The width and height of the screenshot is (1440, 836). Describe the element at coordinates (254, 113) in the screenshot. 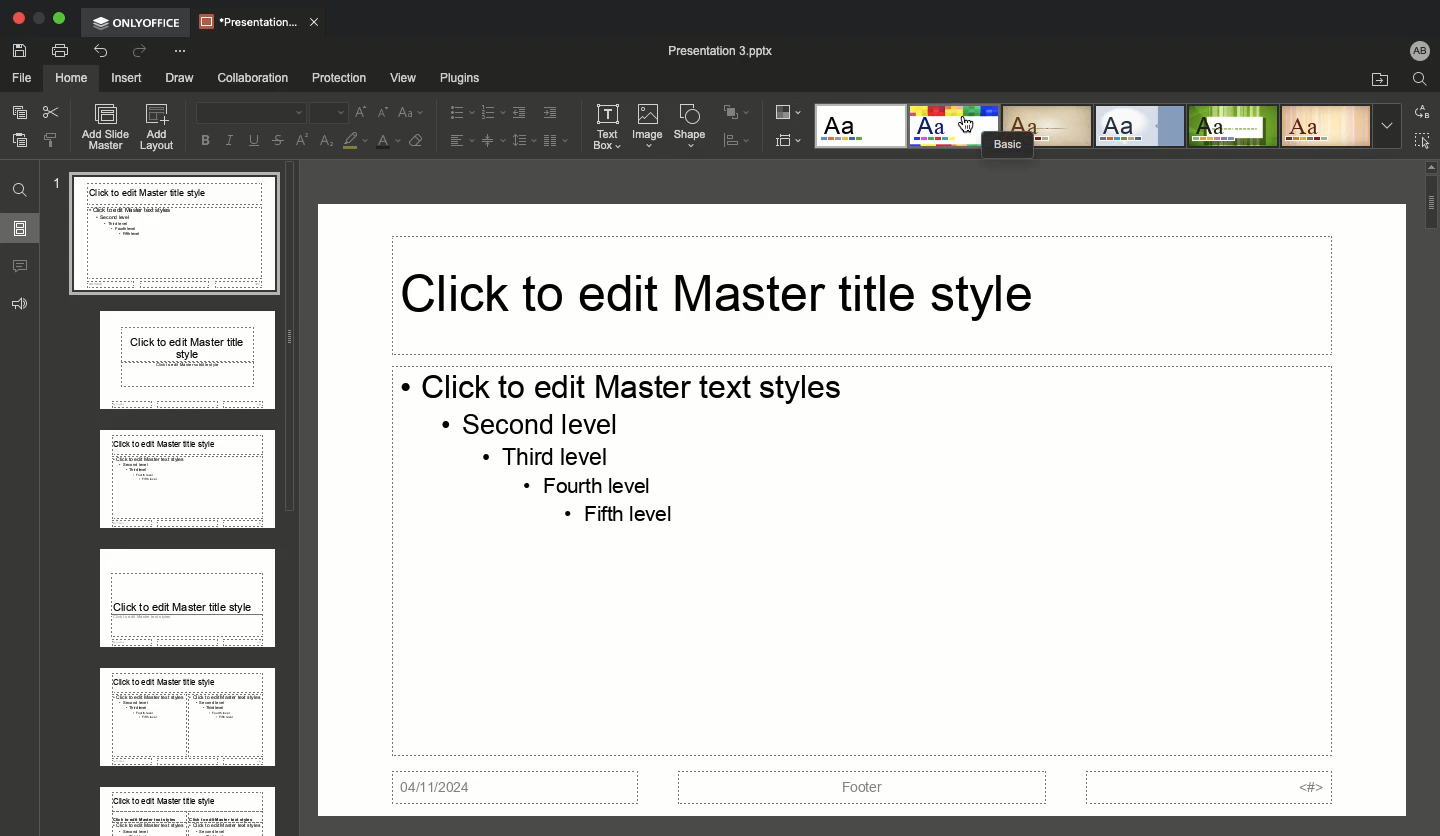

I see `Font type` at that location.